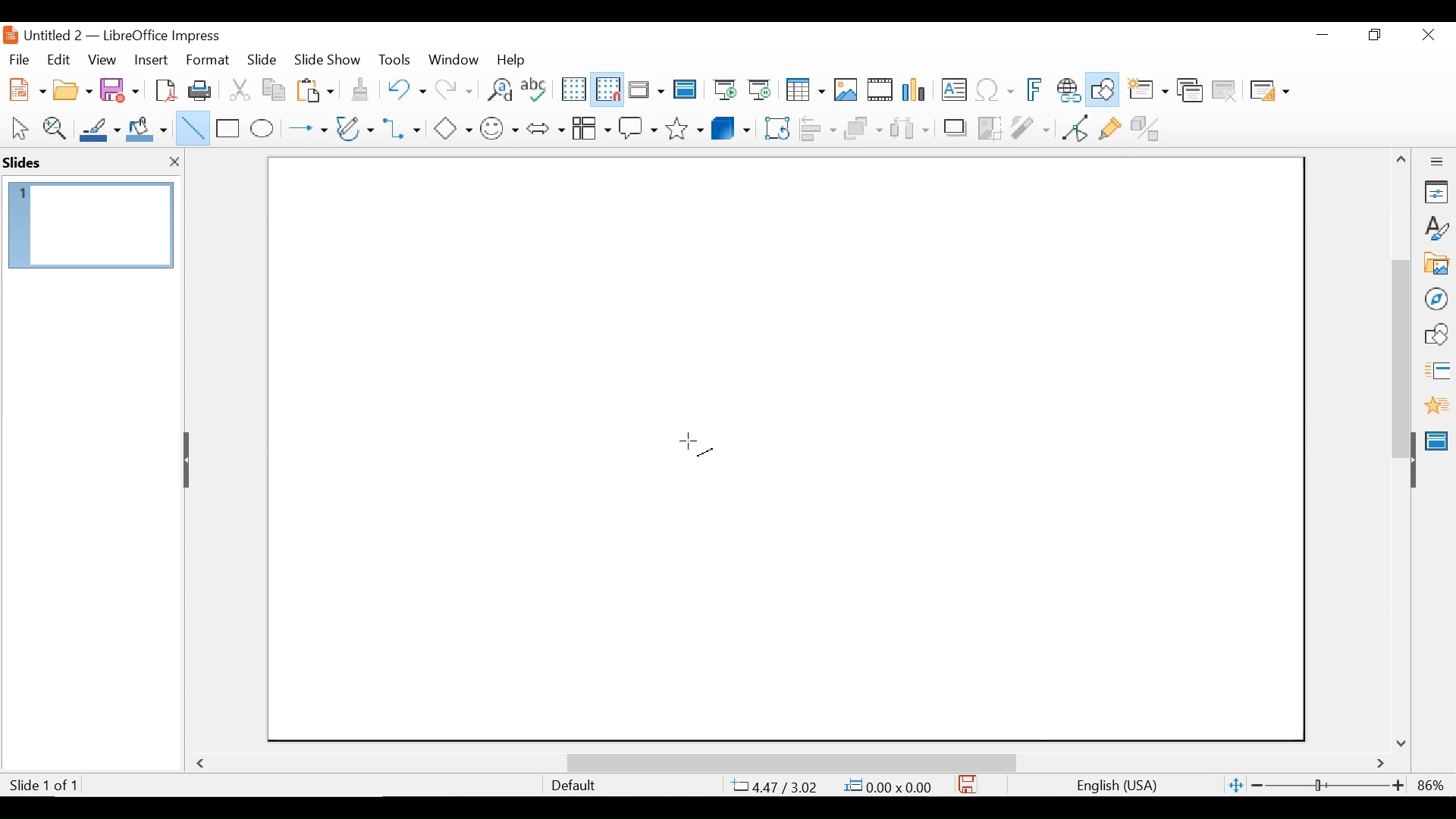 Image resolution: width=1456 pixels, height=819 pixels. What do you see at coordinates (304, 129) in the screenshot?
I see `Lines and Arrows` at bounding box center [304, 129].